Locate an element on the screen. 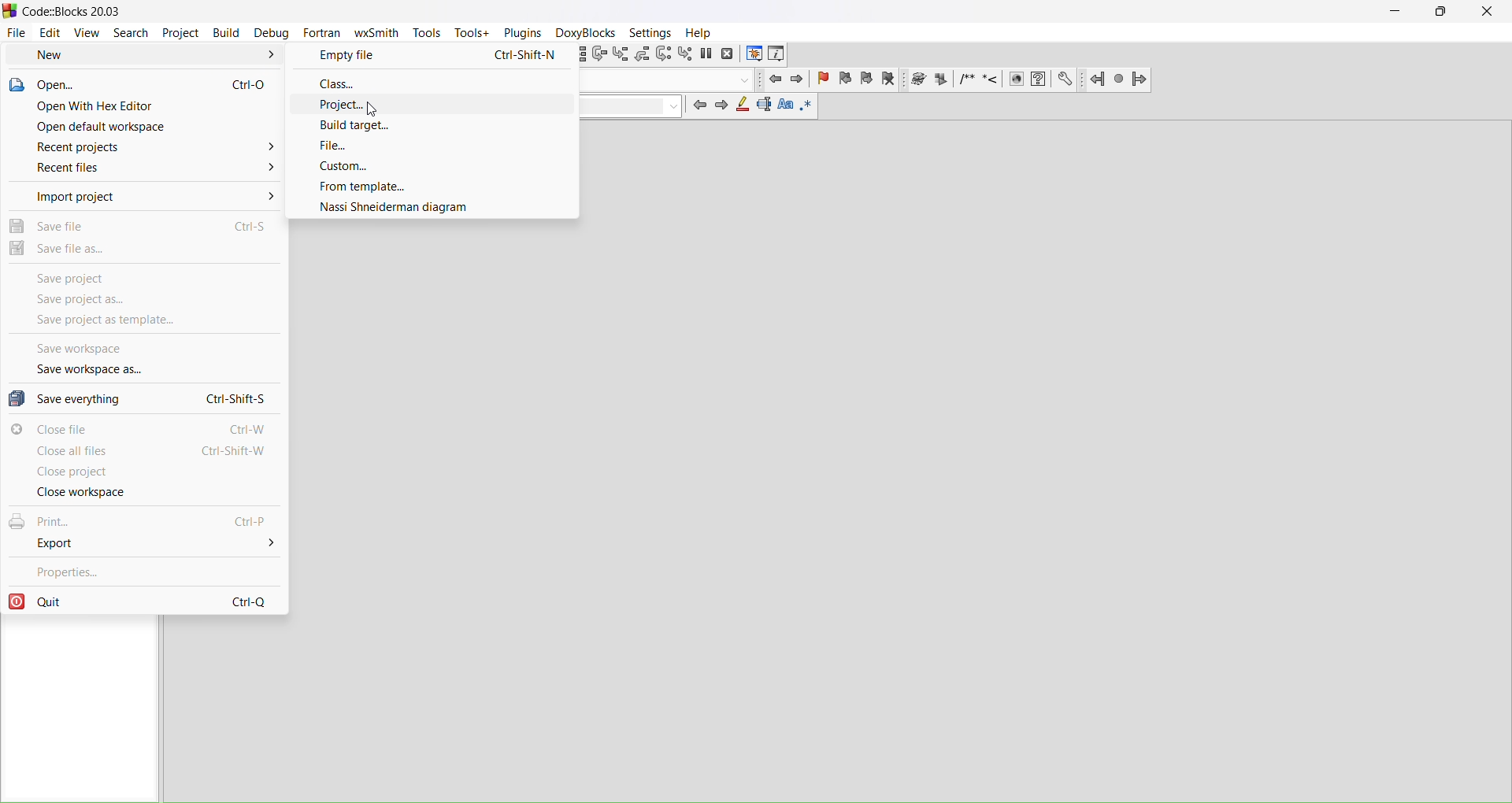 This screenshot has width=1512, height=803. debug is located at coordinates (272, 33).